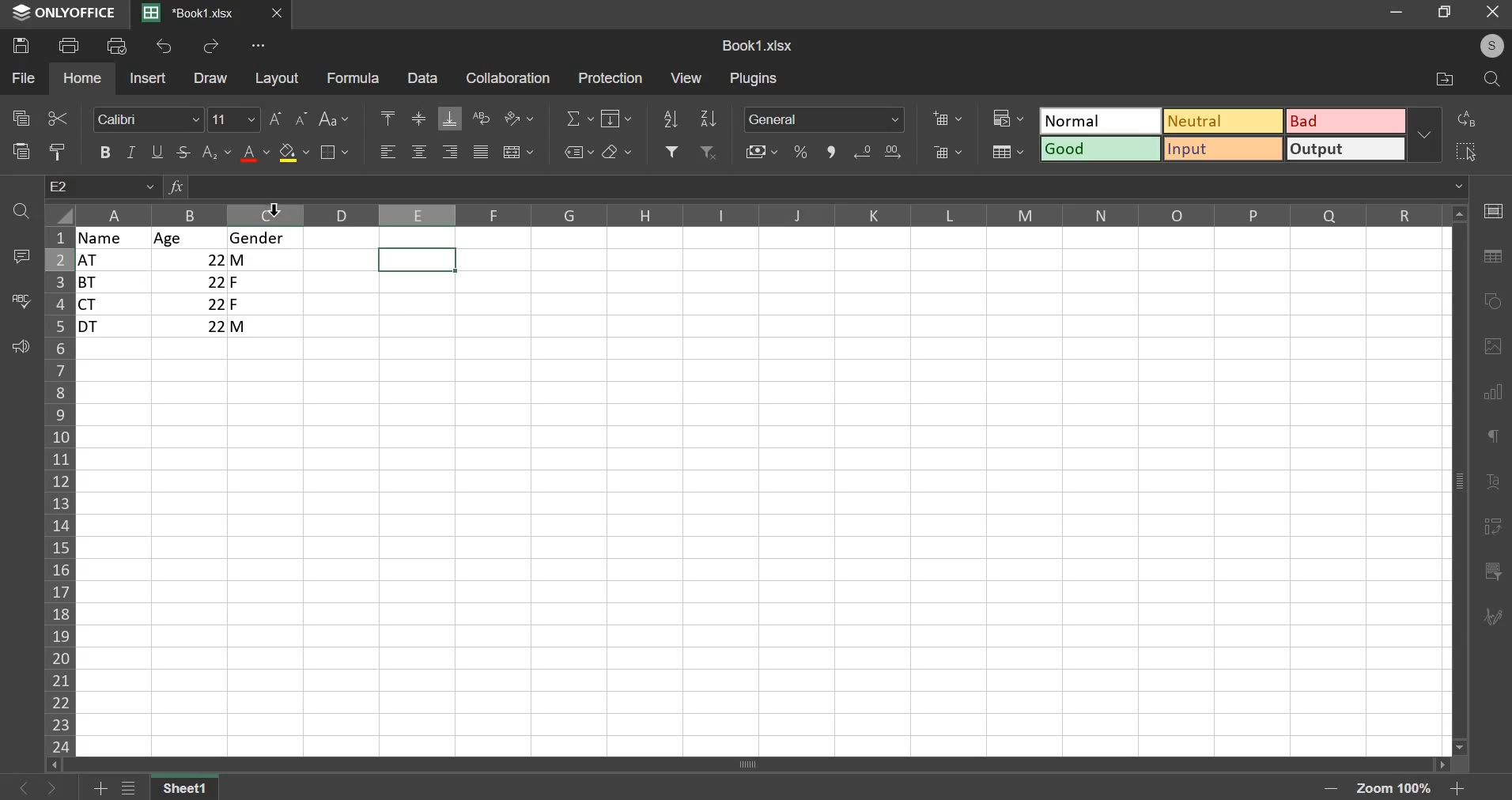  What do you see at coordinates (293, 153) in the screenshot?
I see `background` at bounding box center [293, 153].